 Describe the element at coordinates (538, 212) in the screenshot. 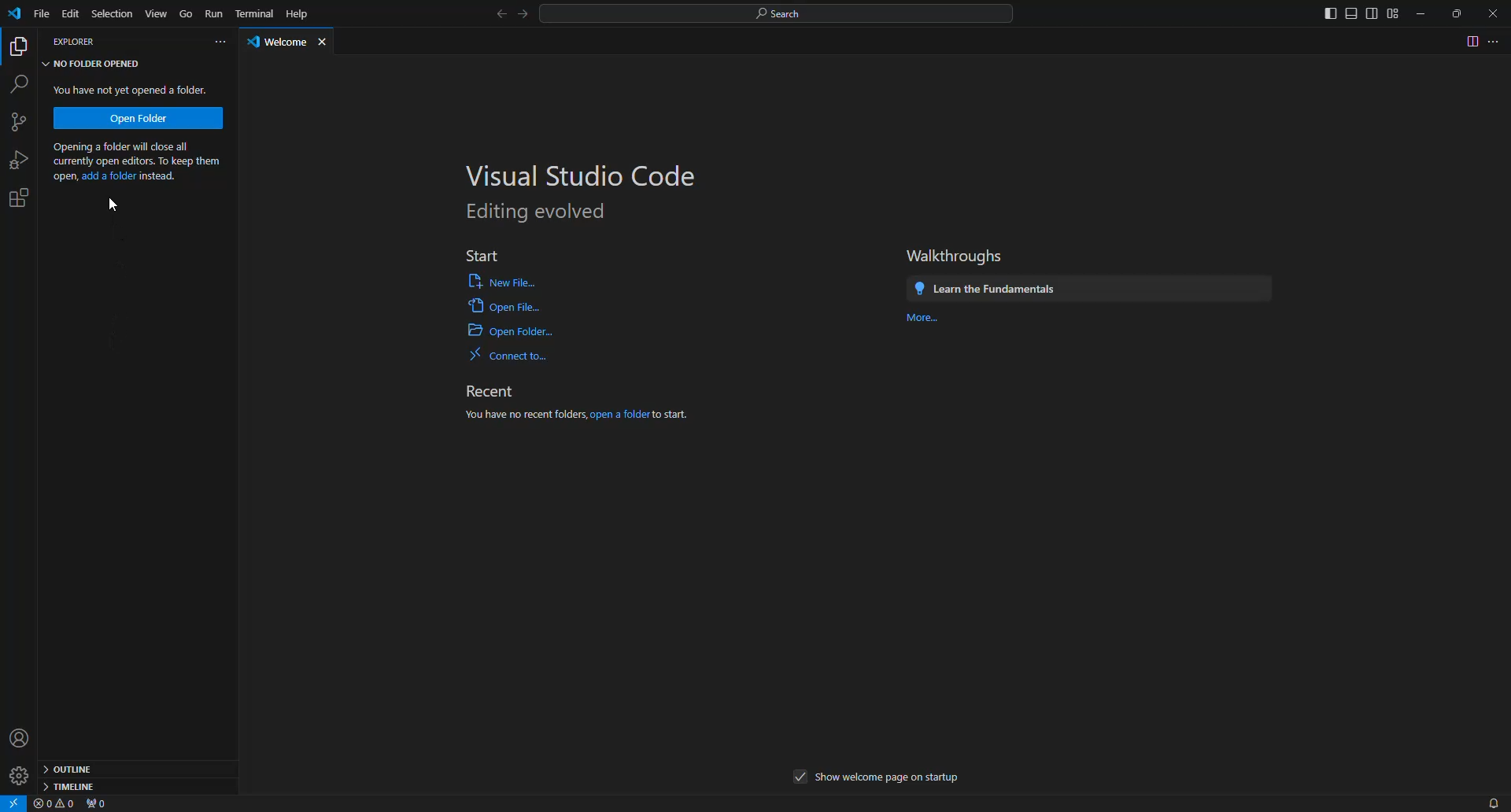

I see `editing evolved` at that location.